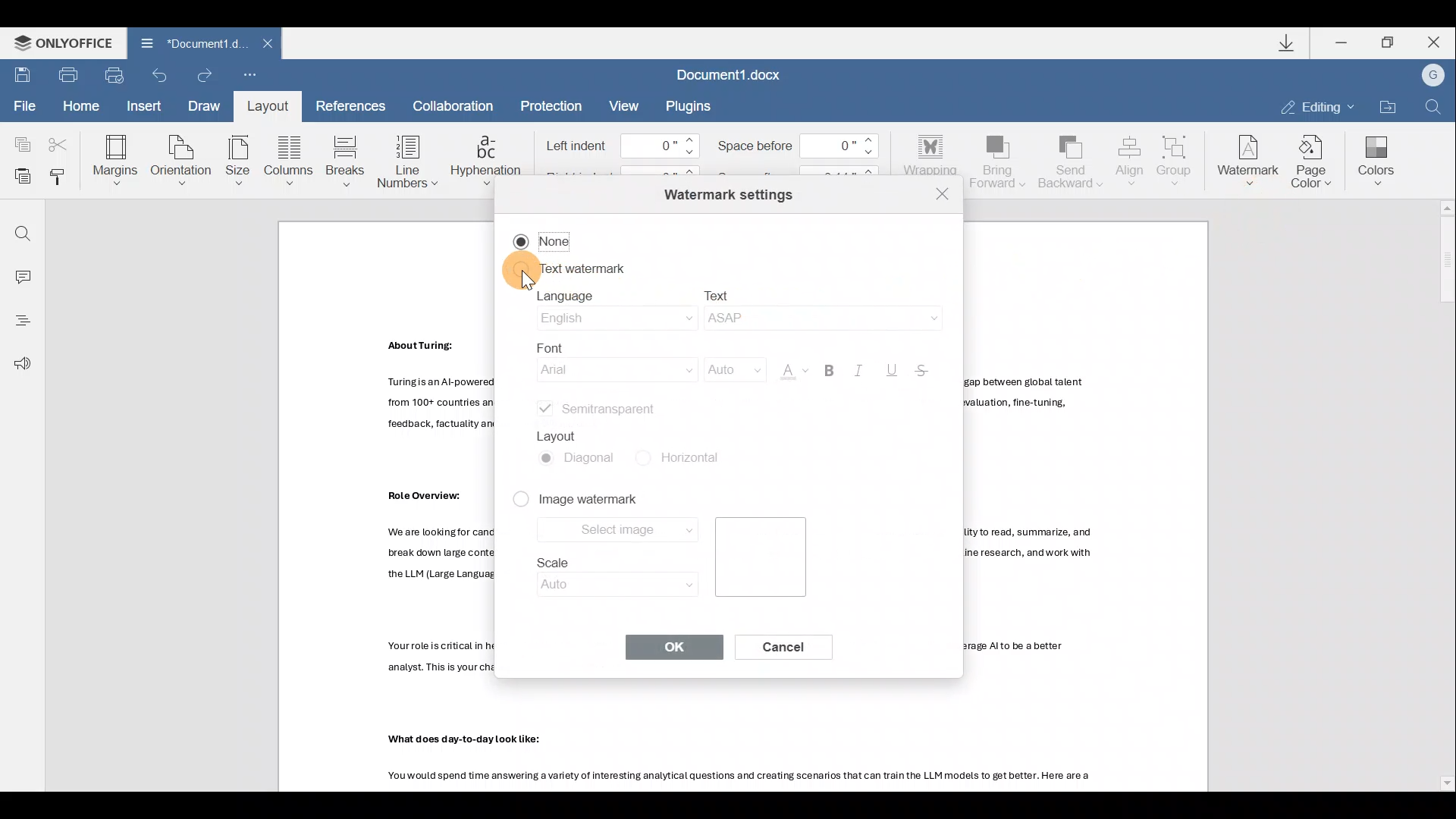 The width and height of the screenshot is (1456, 819). Describe the element at coordinates (1386, 42) in the screenshot. I see `Maximize` at that location.